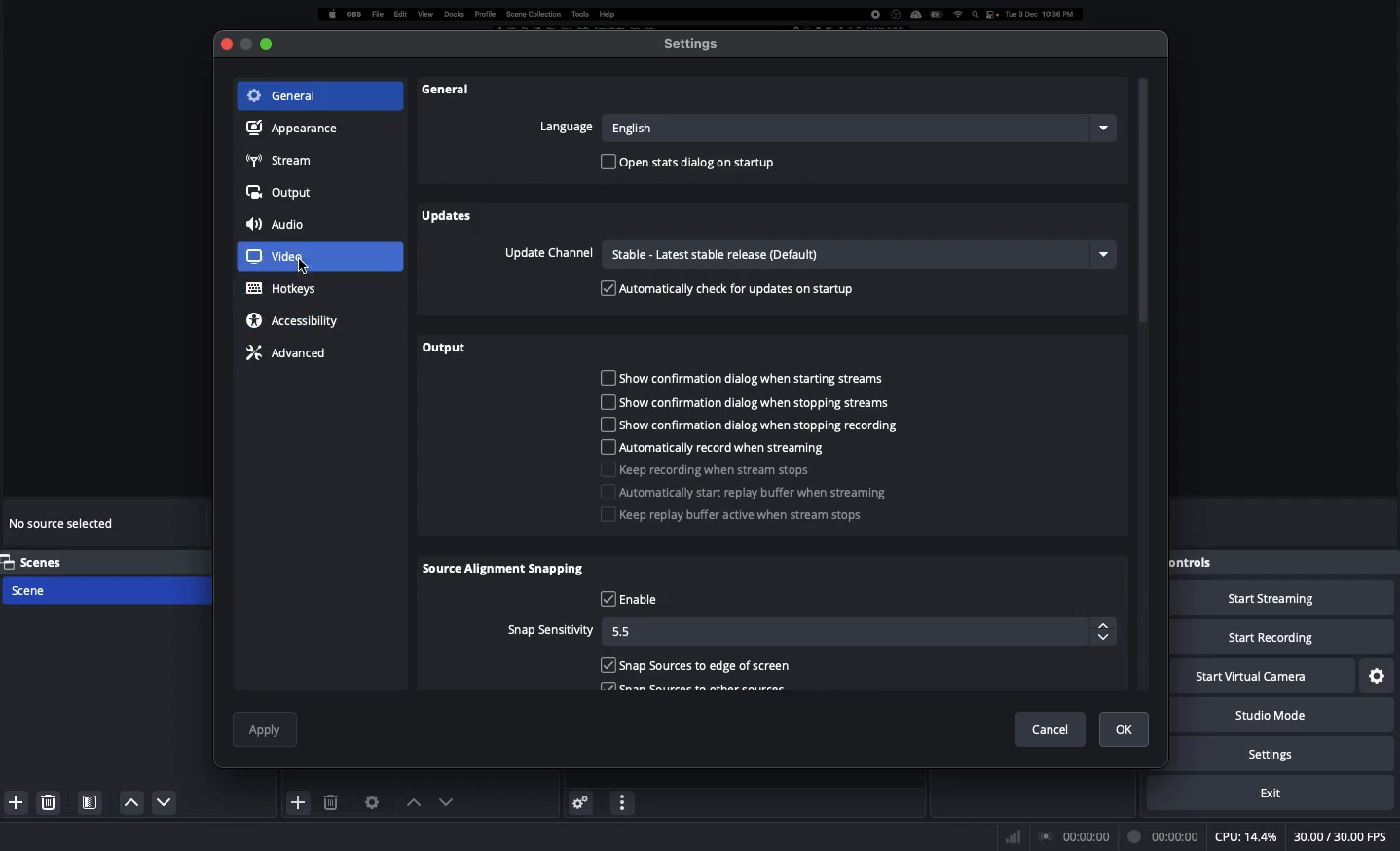 The width and height of the screenshot is (1400, 851). I want to click on Add, so click(13, 800).